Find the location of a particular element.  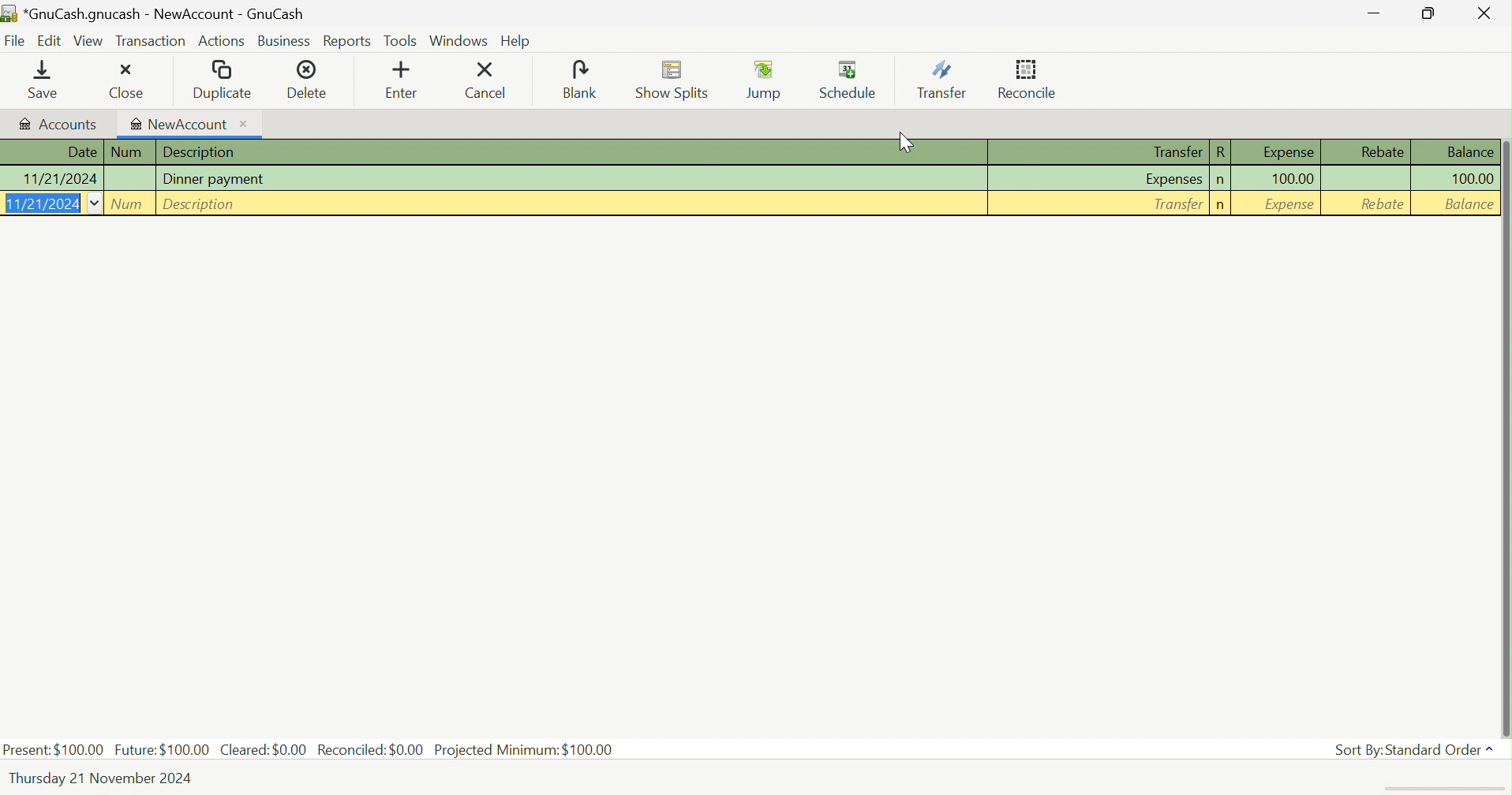

Reconciled: $0.00 is located at coordinates (369, 741).